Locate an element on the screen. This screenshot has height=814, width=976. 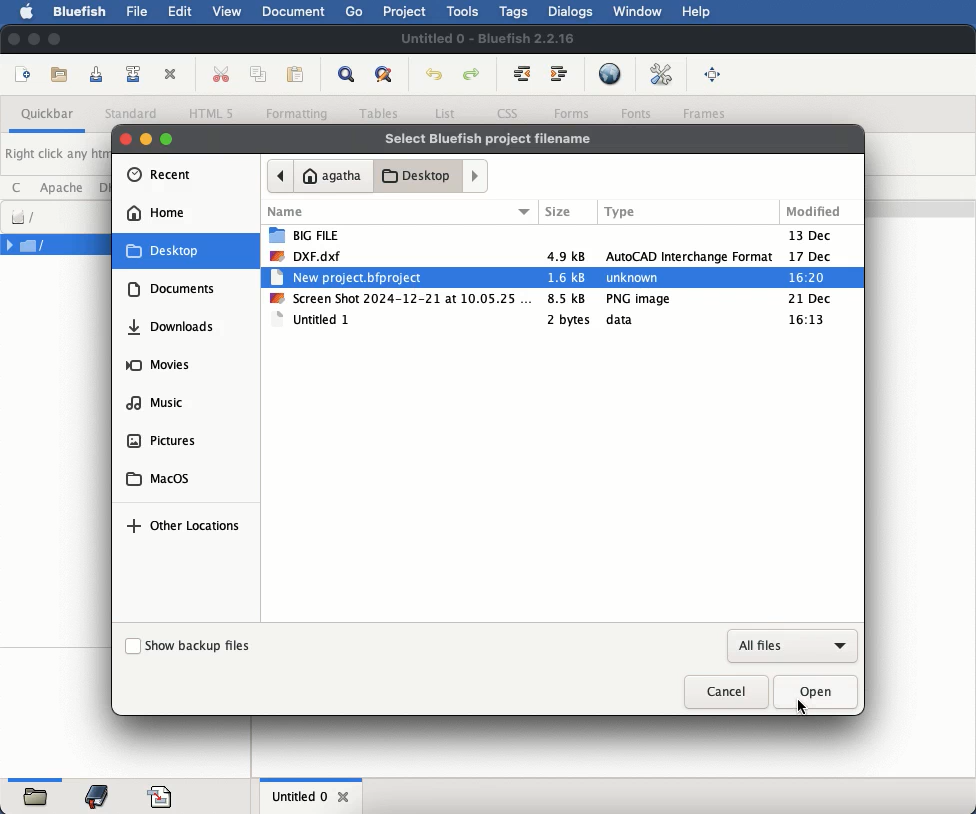
4.9kb is located at coordinates (564, 251).